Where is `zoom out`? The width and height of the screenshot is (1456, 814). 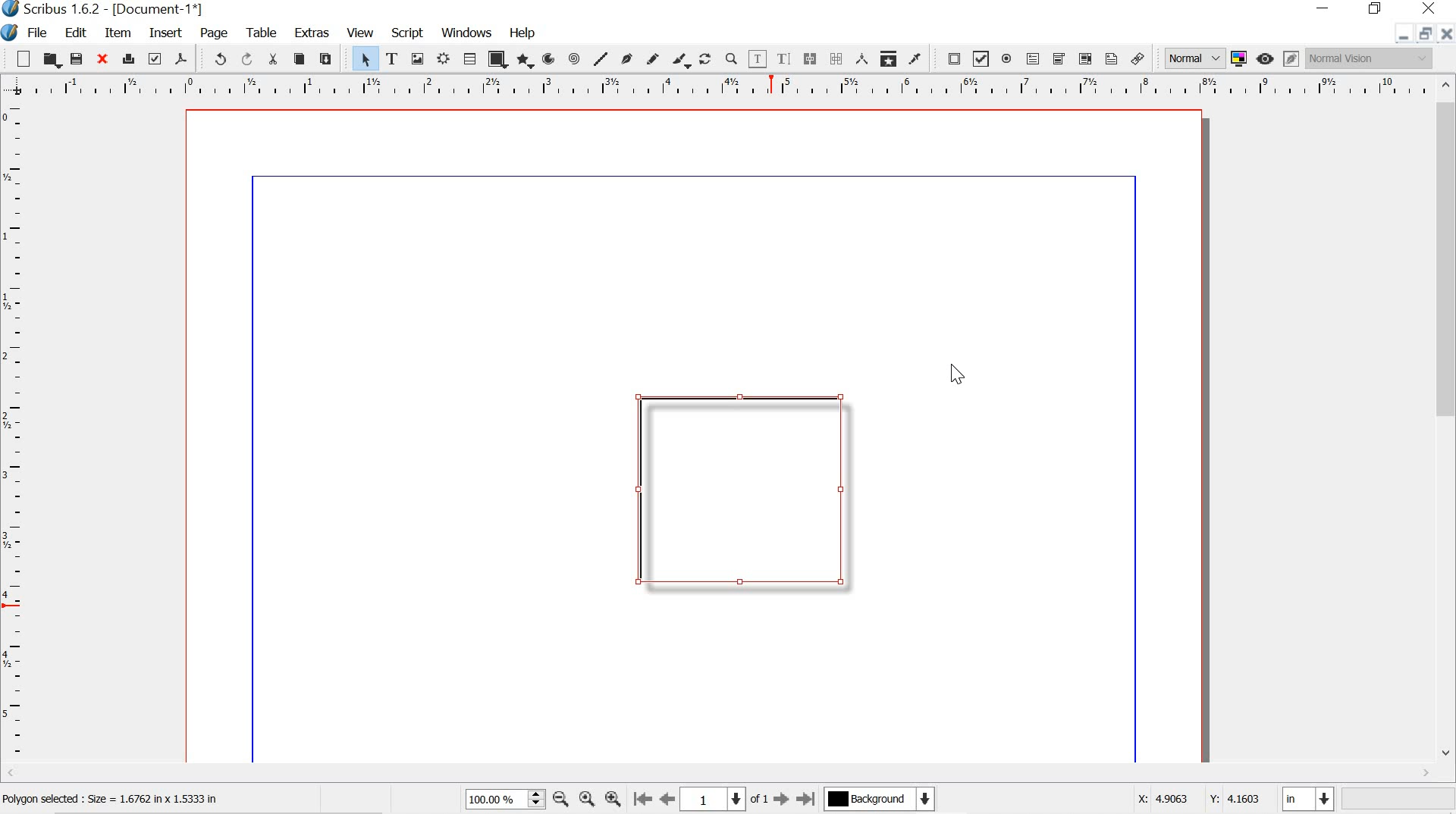
zoom out is located at coordinates (560, 800).